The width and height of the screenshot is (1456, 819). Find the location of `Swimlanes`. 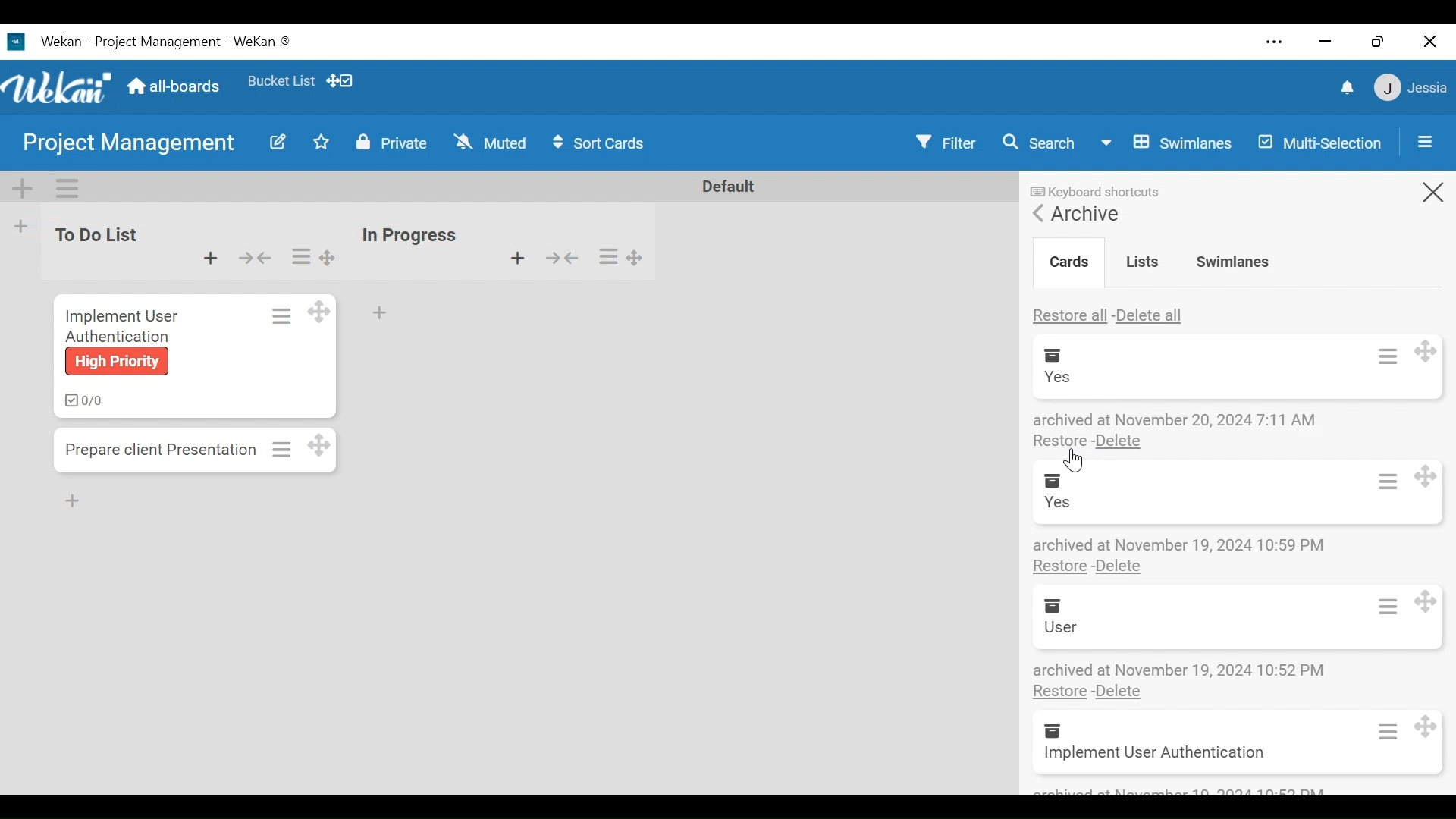

Swimlanes is located at coordinates (1232, 260).